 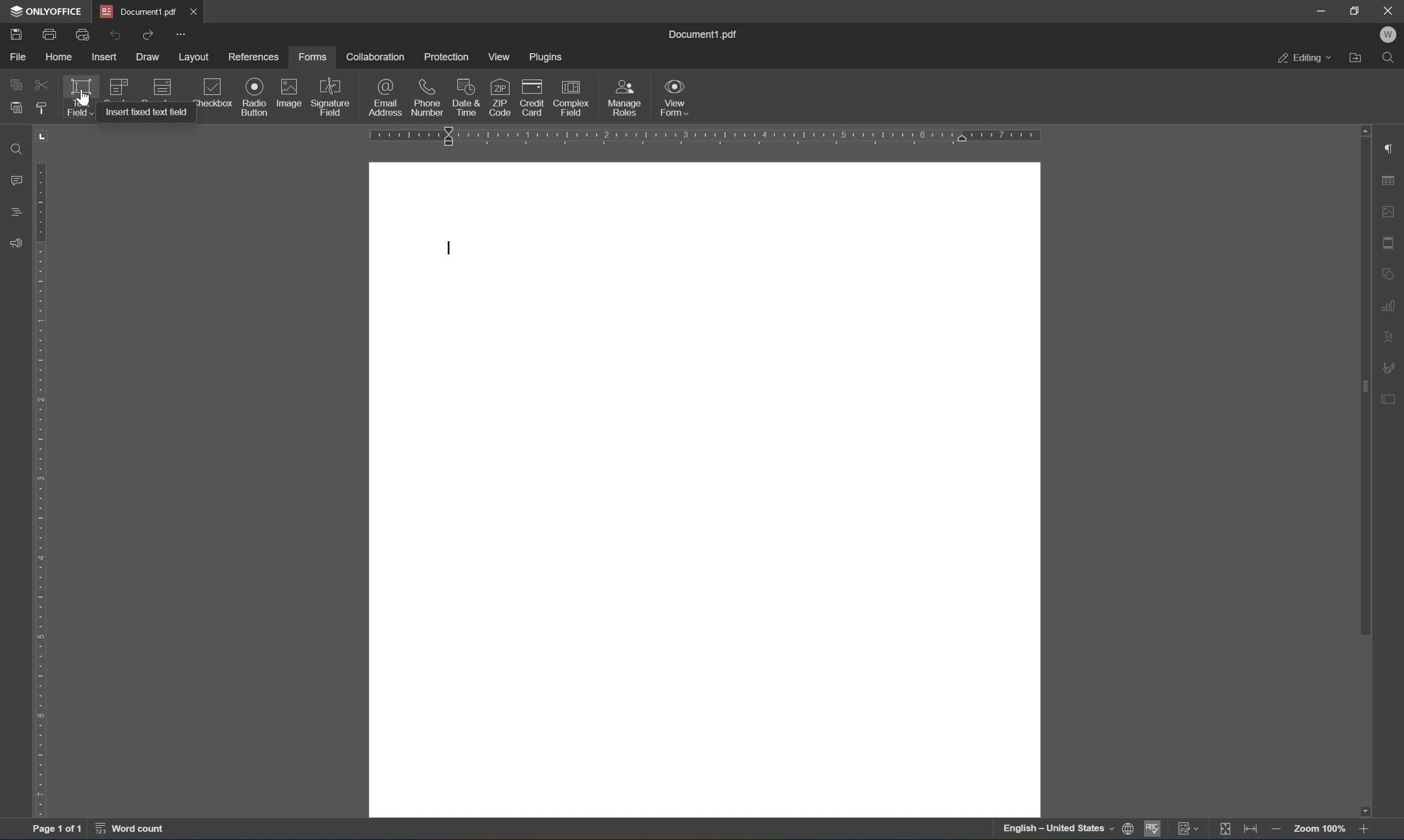 What do you see at coordinates (19, 179) in the screenshot?
I see `comments` at bounding box center [19, 179].